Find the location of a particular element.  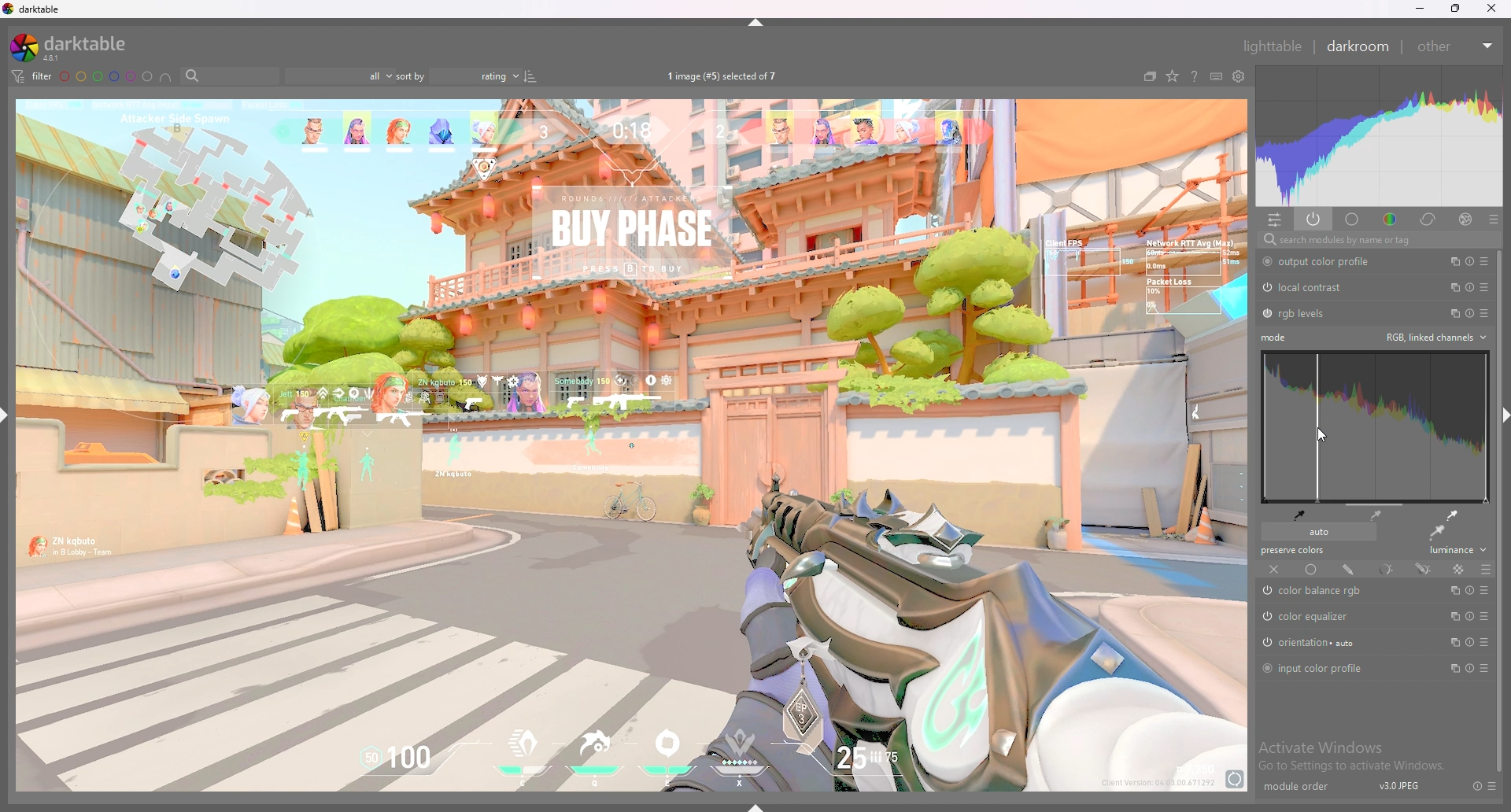

correct is located at coordinates (1428, 220).